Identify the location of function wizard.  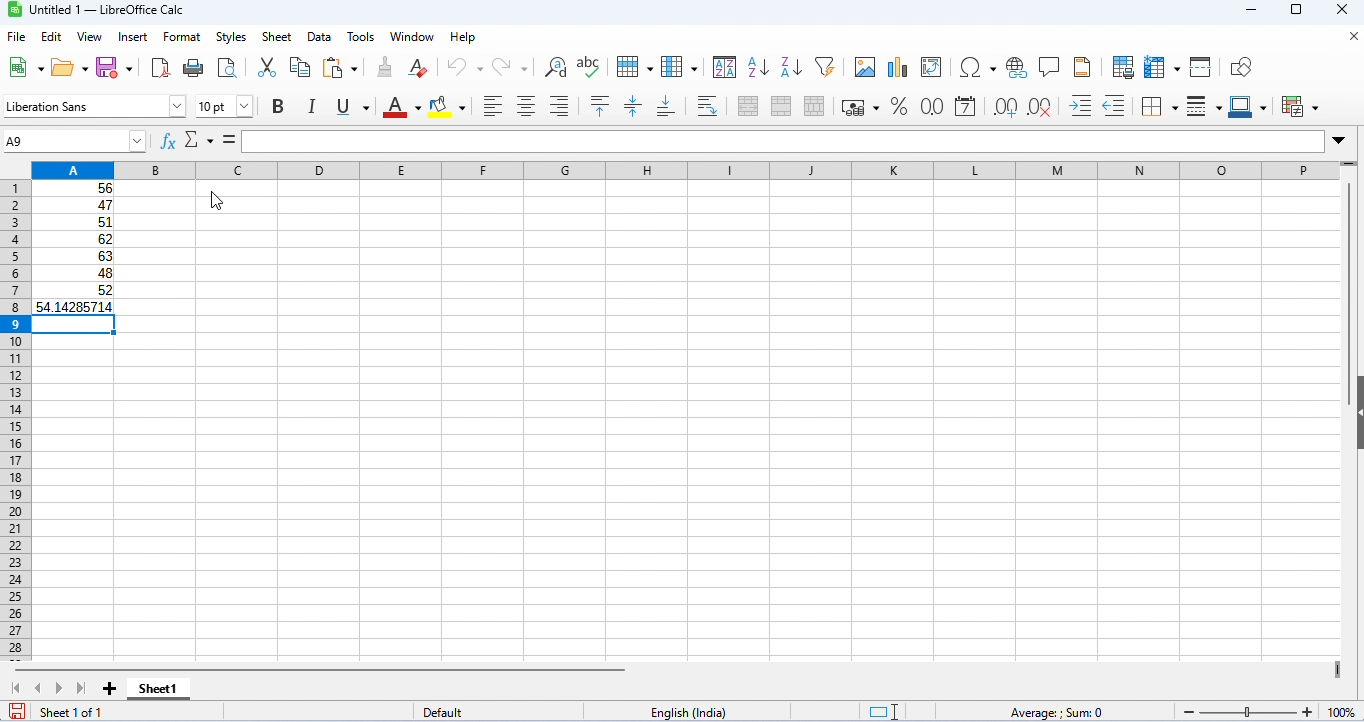
(169, 141).